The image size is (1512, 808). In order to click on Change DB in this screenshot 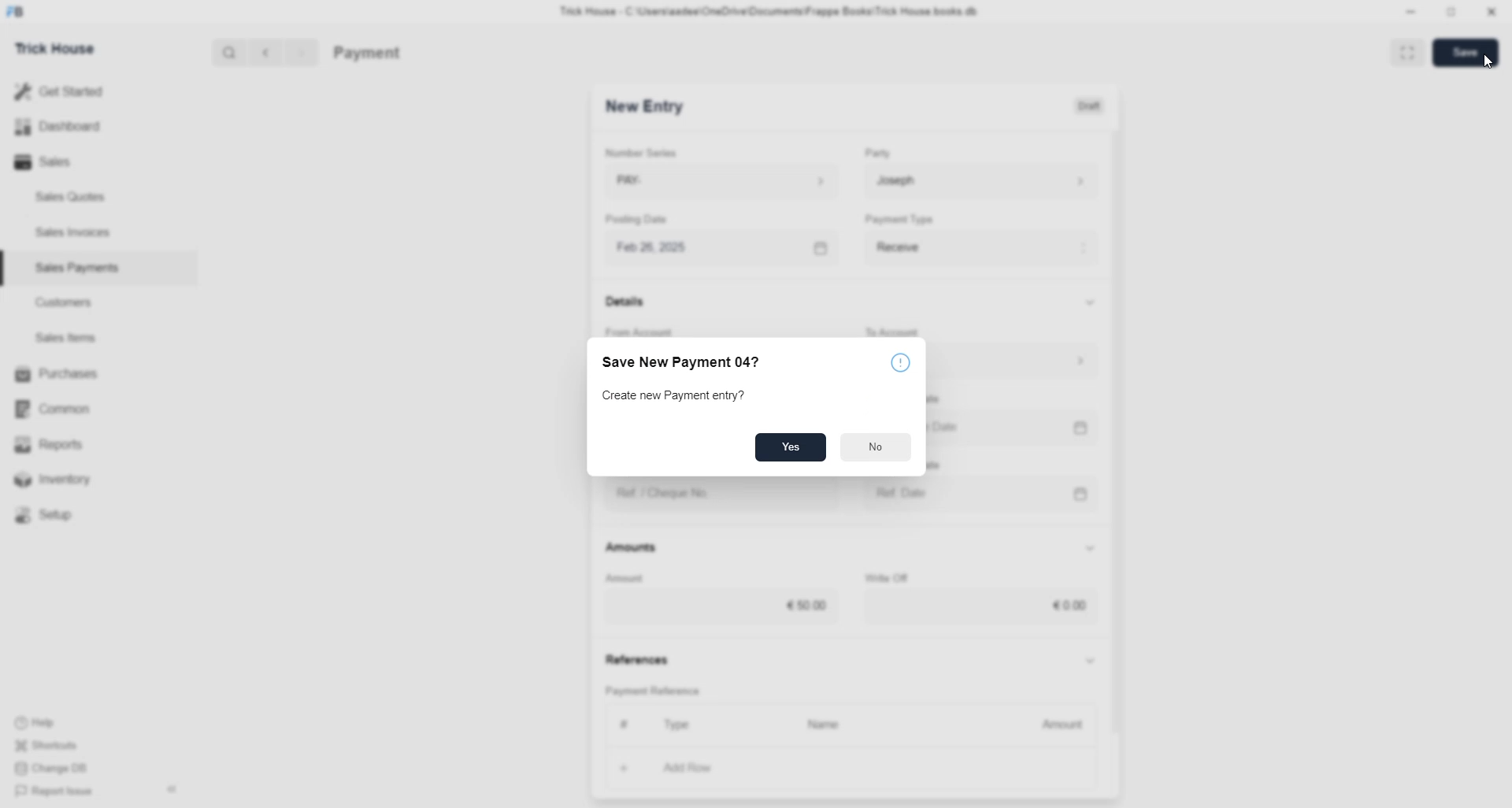, I will do `click(57, 767)`.